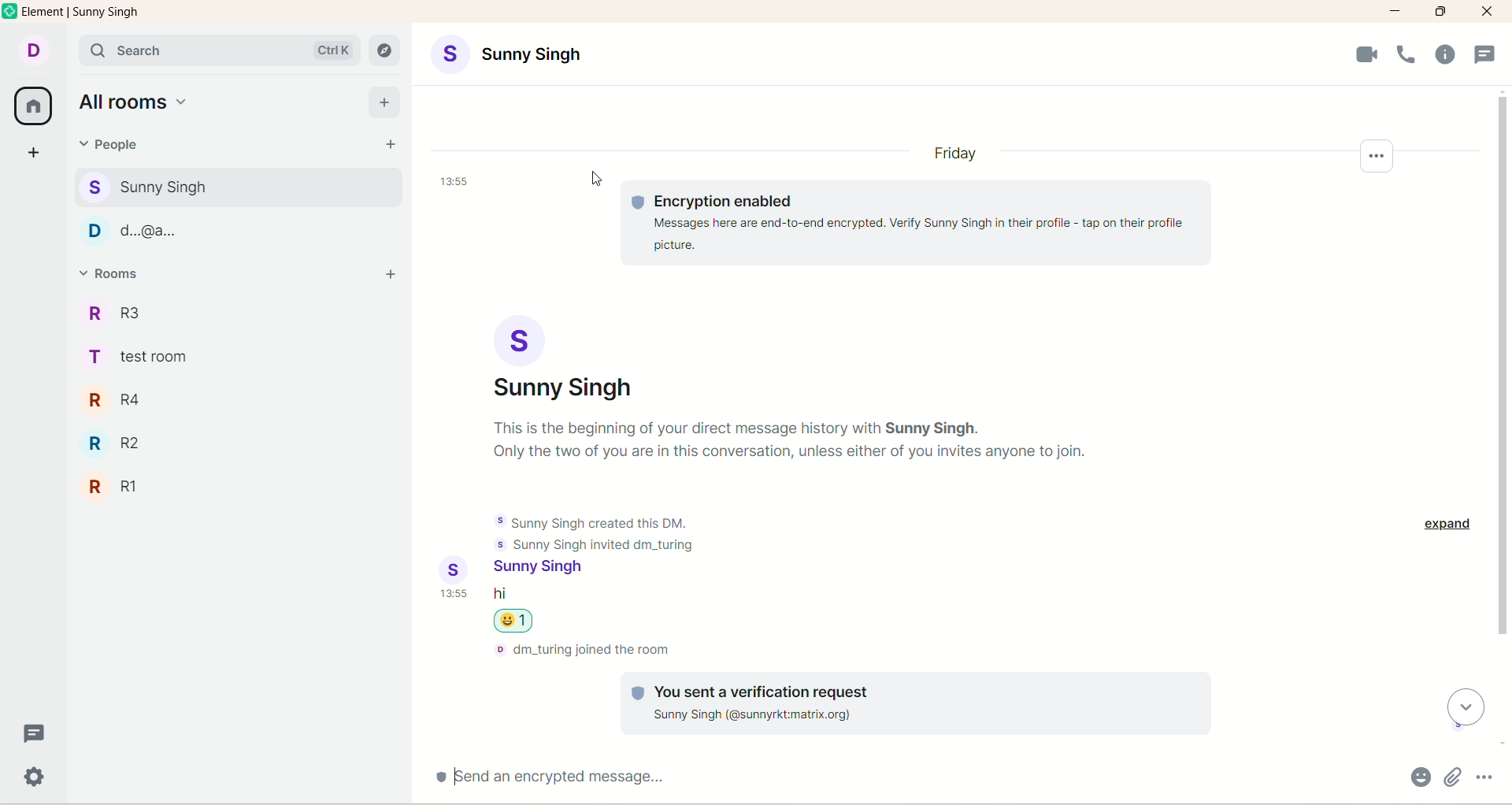  Describe the element at coordinates (506, 54) in the screenshot. I see `account` at that location.